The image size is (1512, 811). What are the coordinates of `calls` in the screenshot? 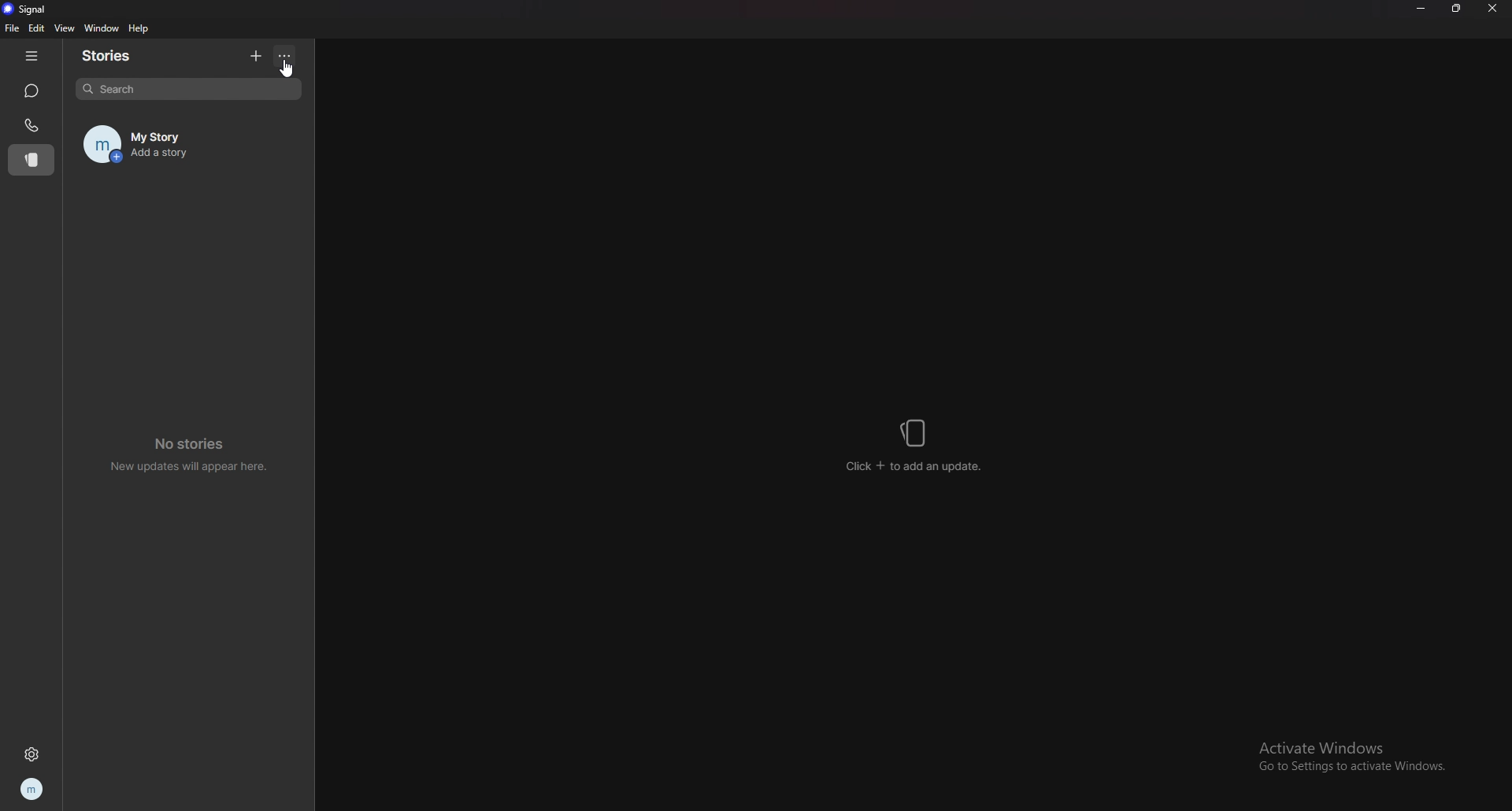 It's located at (31, 125).